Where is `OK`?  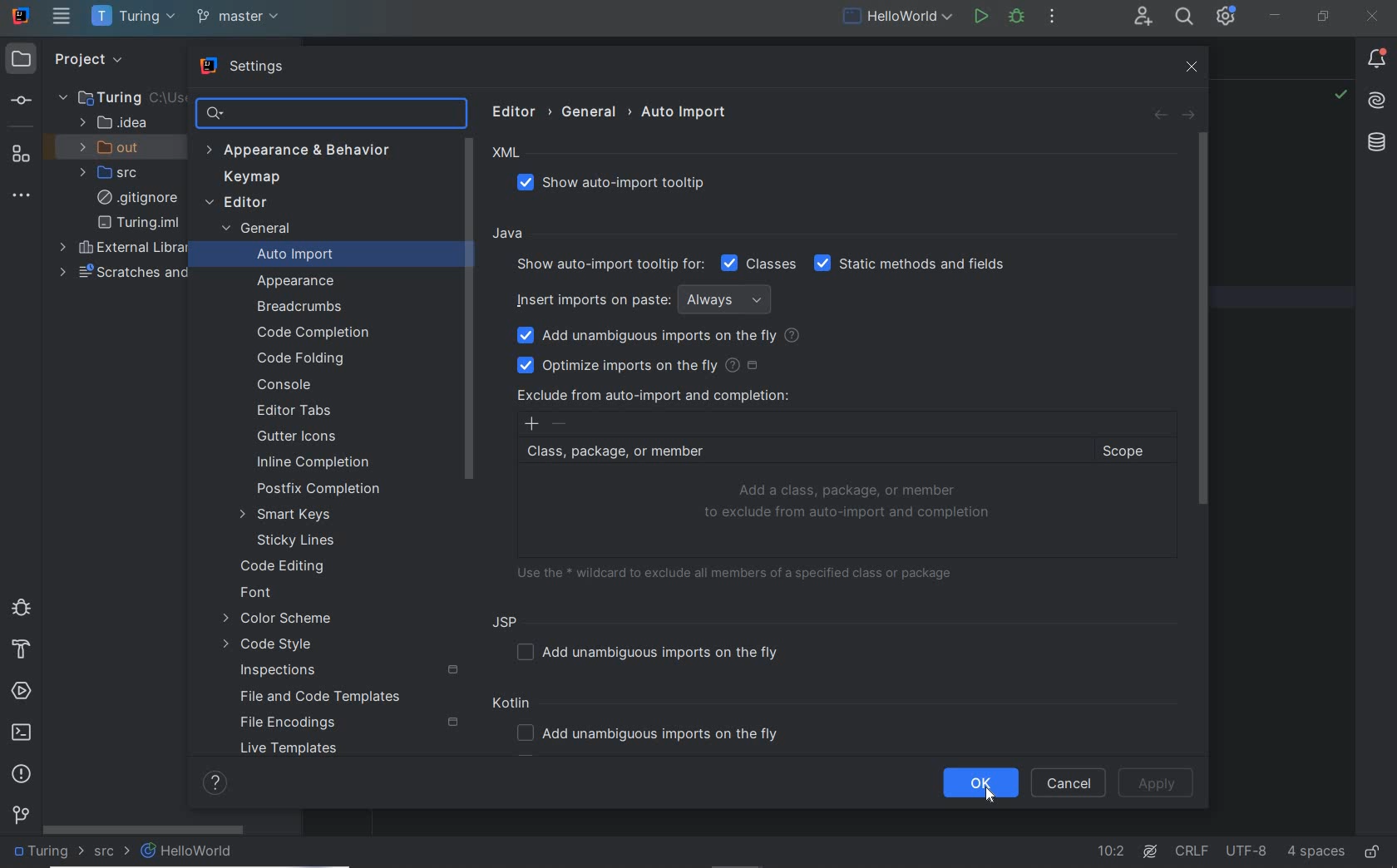 OK is located at coordinates (983, 782).